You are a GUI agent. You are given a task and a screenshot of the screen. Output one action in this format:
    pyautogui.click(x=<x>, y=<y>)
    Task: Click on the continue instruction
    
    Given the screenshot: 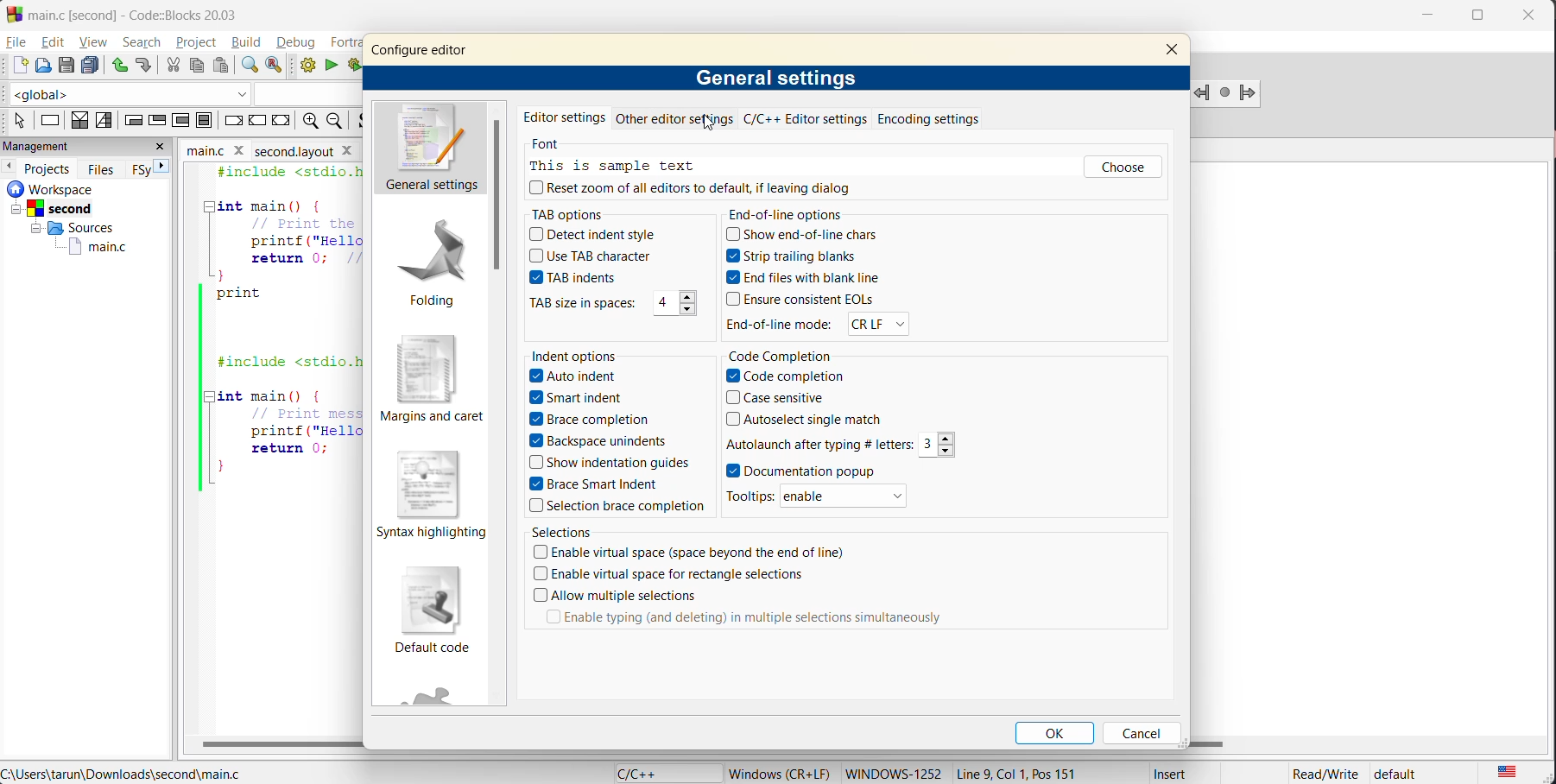 What is the action you would take?
    pyautogui.click(x=259, y=120)
    